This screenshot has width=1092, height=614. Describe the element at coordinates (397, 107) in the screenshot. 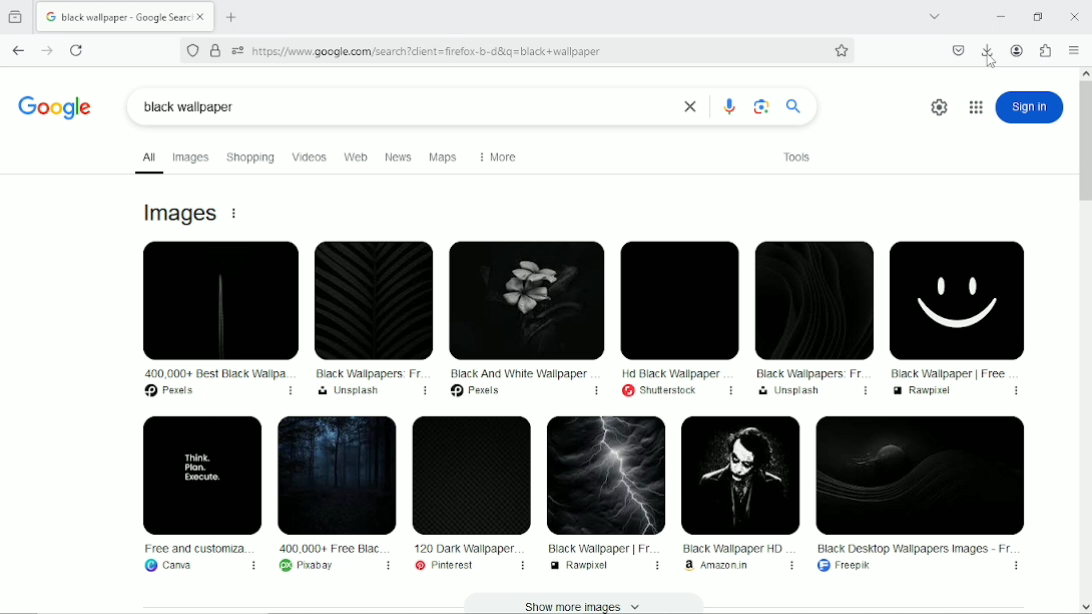

I see `black wallpaper` at that location.